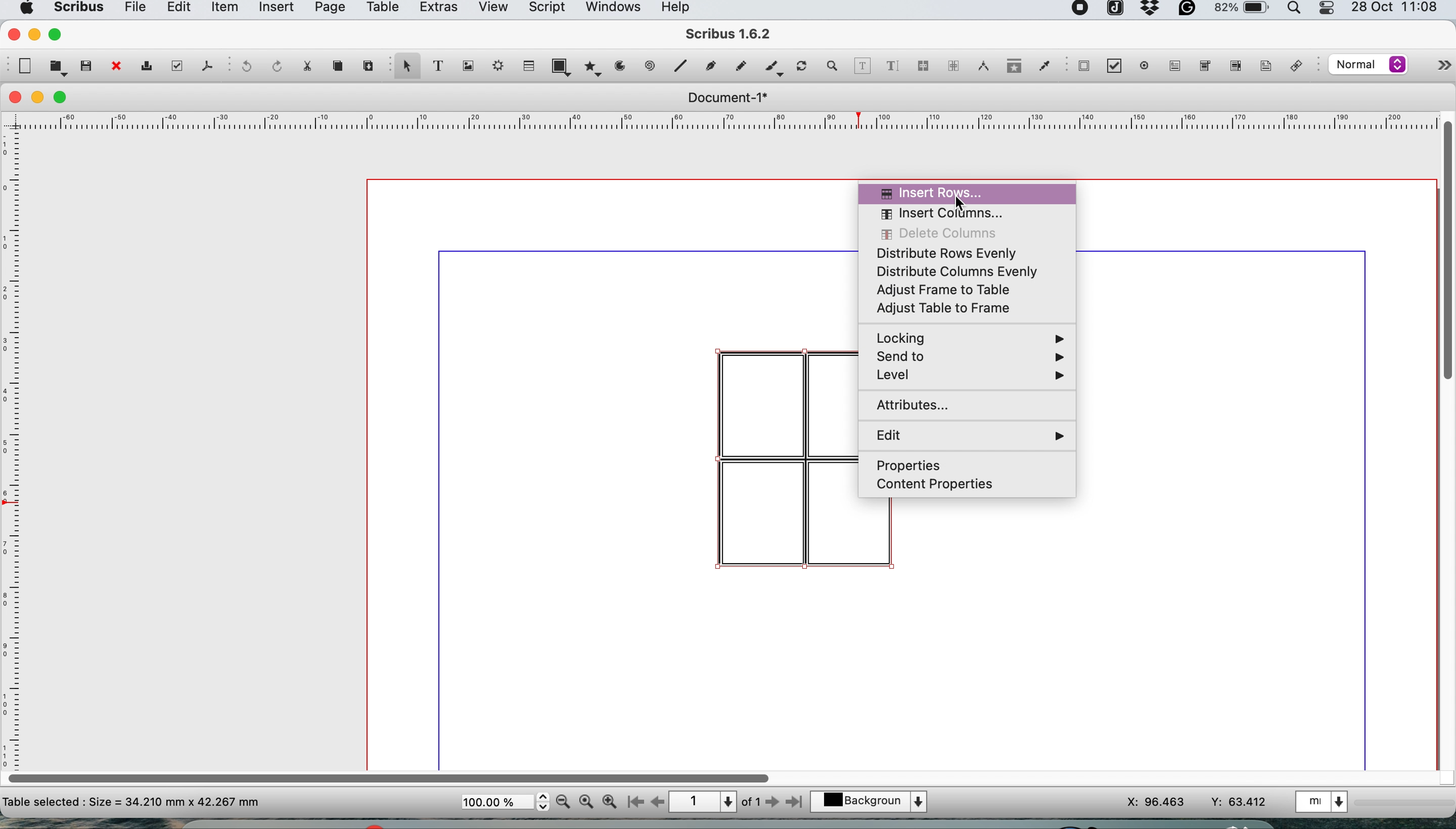 The width and height of the screenshot is (1456, 829). Describe the element at coordinates (679, 65) in the screenshot. I see `line` at that location.